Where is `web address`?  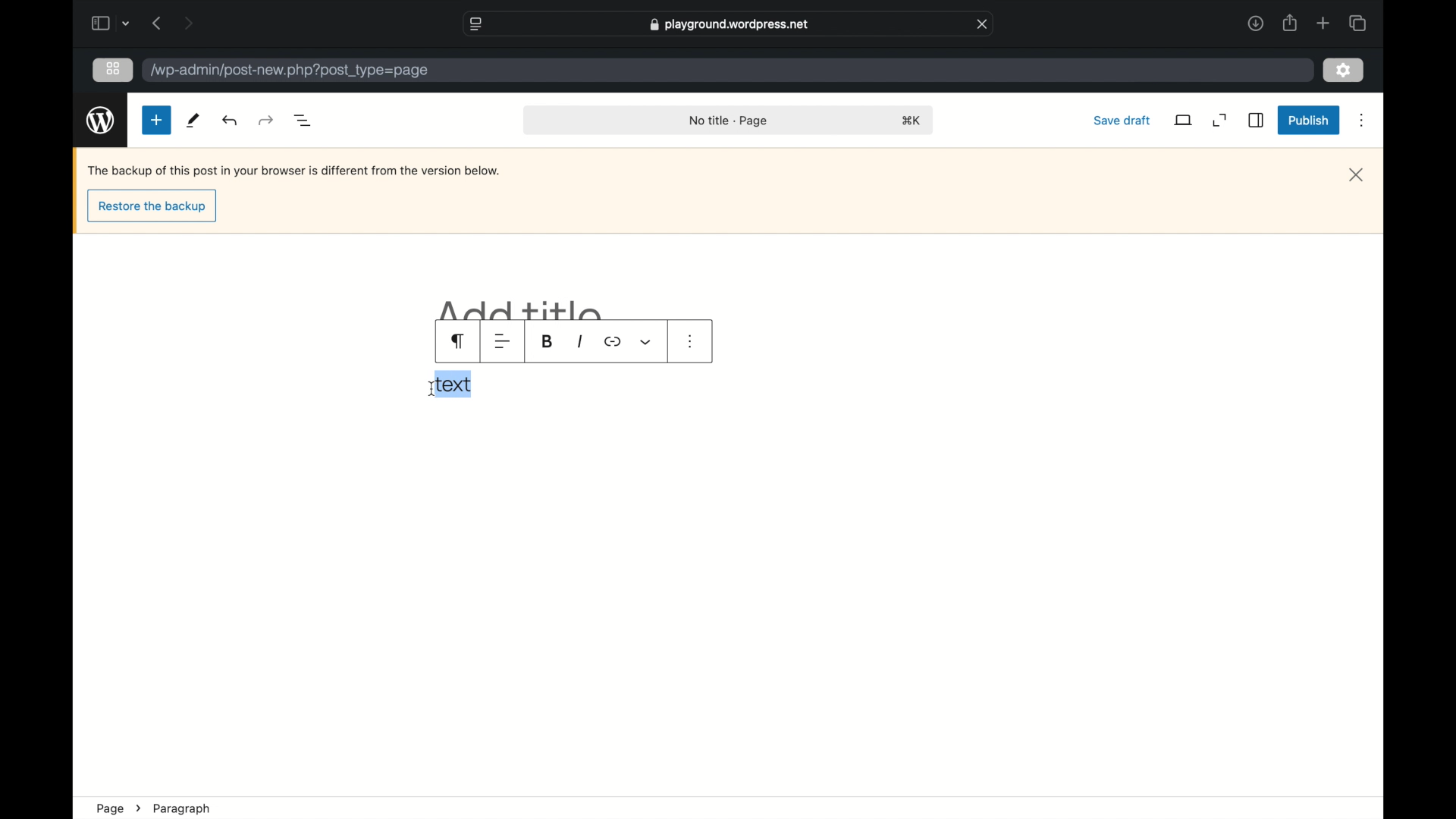
web address is located at coordinates (729, 25).